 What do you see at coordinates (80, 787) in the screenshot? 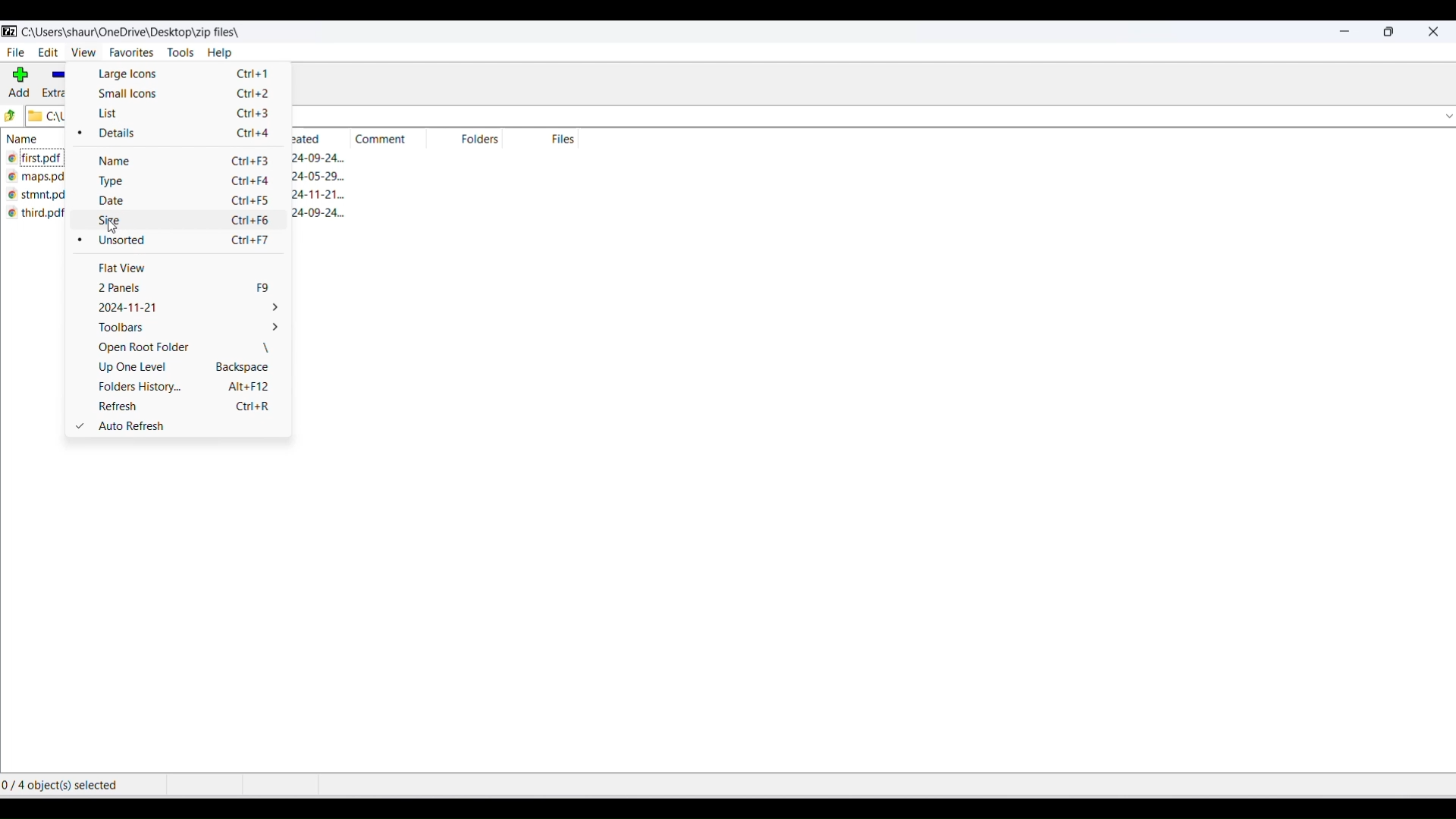
I see `0/4 object selected` at bounding box center [80, 787].